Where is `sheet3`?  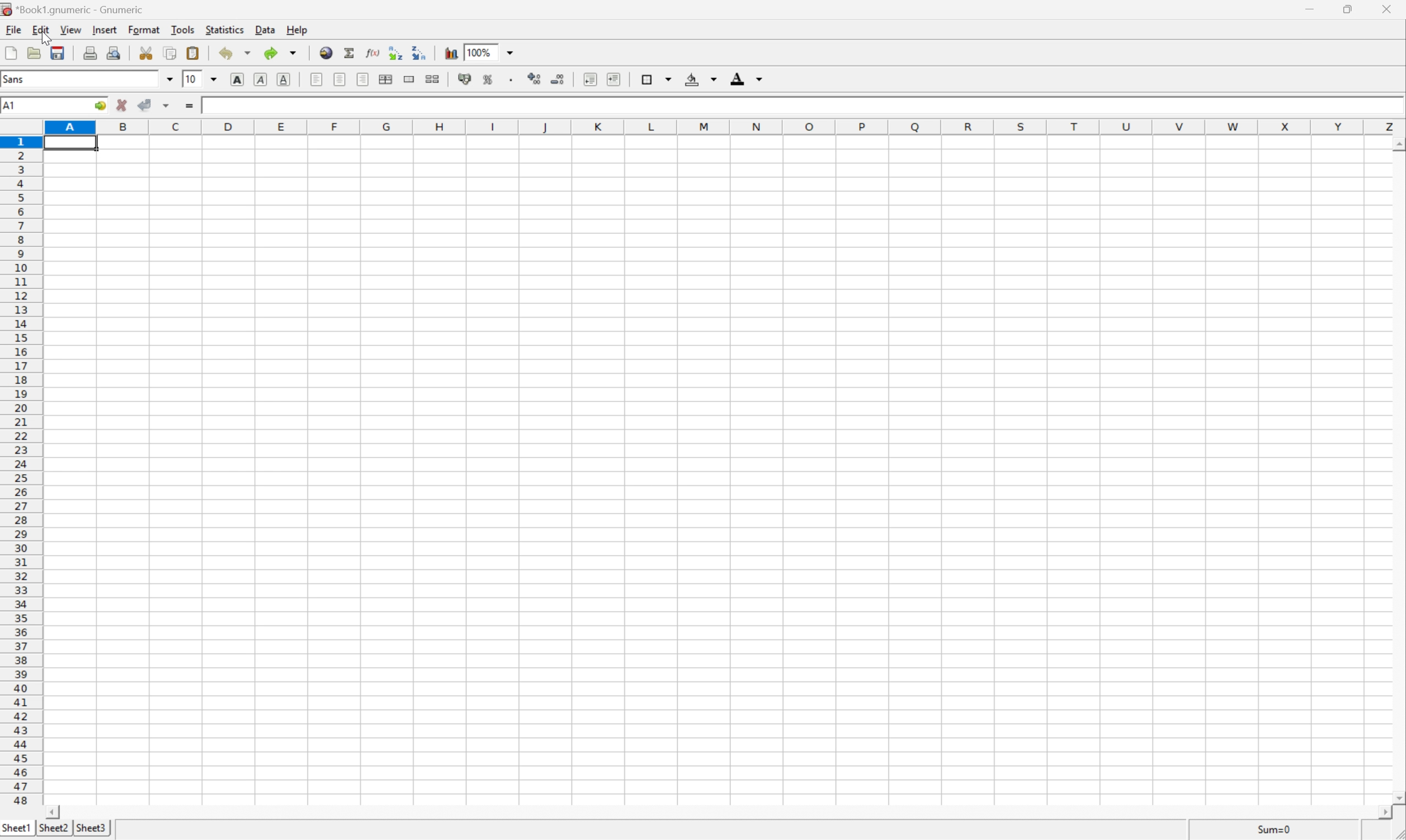
sheet3 is located at coordinates (91, 831).